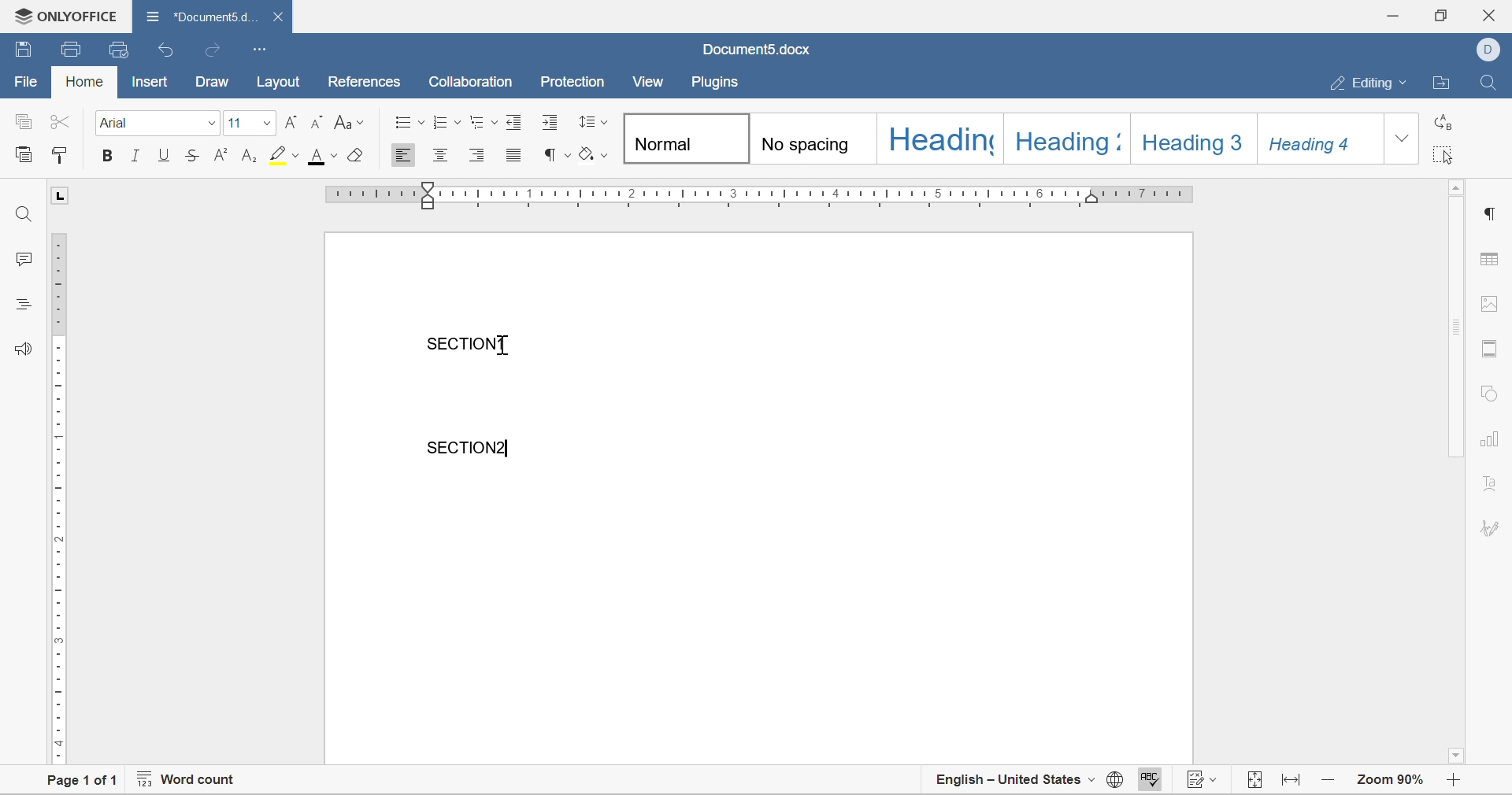  What do you see at coordinates (365, 82) in the screenshot?
I see `references` at bounding box center [365, 82].